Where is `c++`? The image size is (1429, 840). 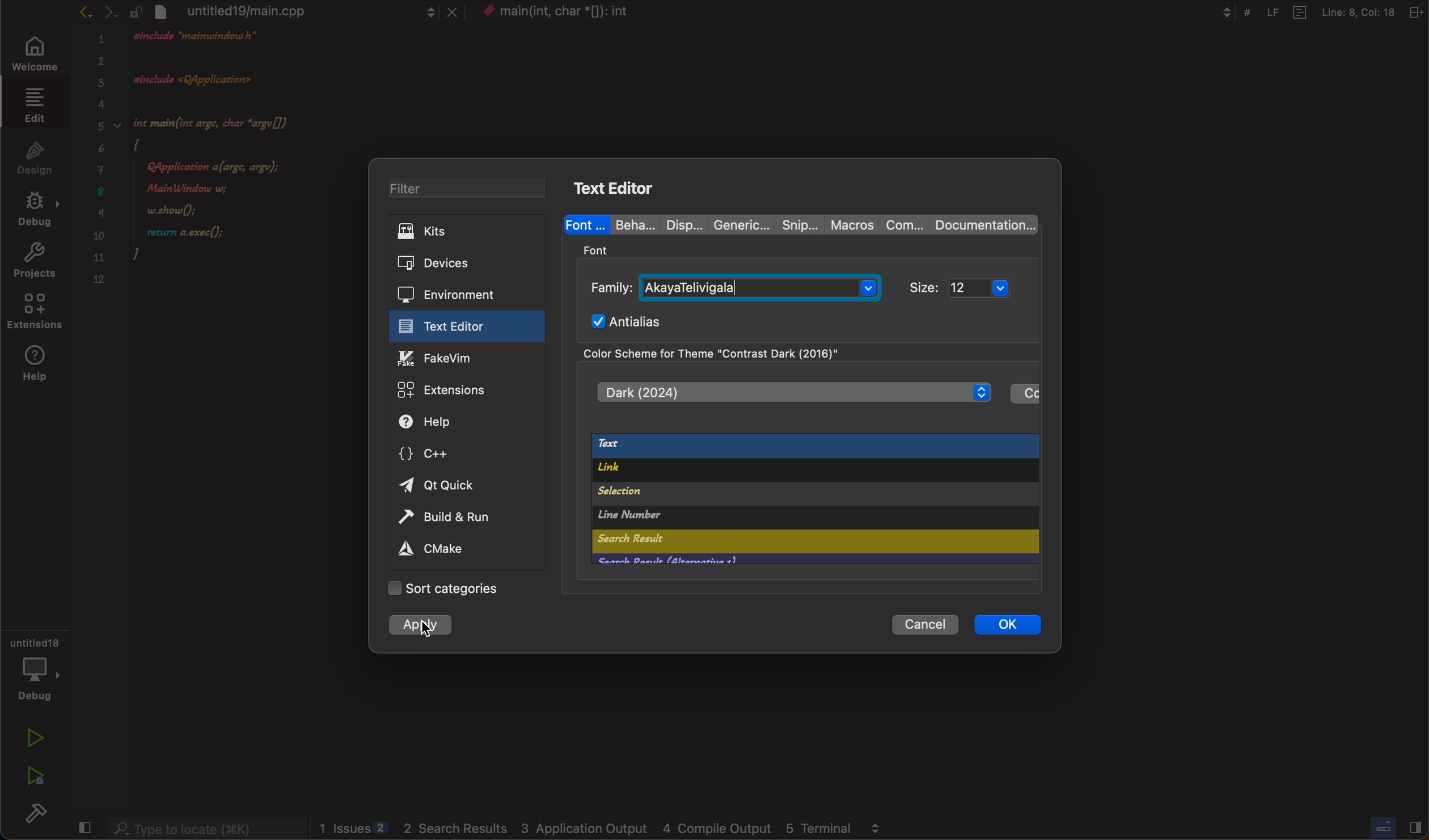 c++ is located at coordinates (442, 452).